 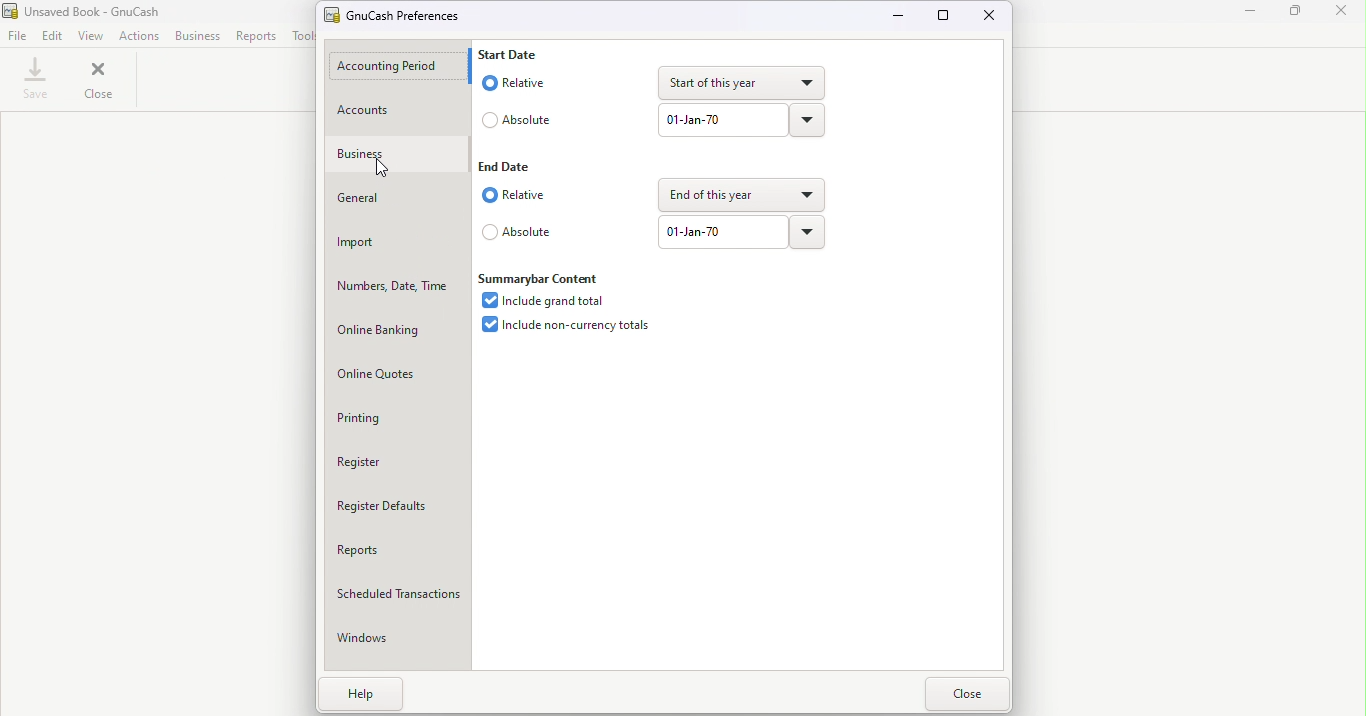 What do you see at coordinates (399, 375) in the screenshot?
I see `Online quotes` at bounding box center [399, 375].